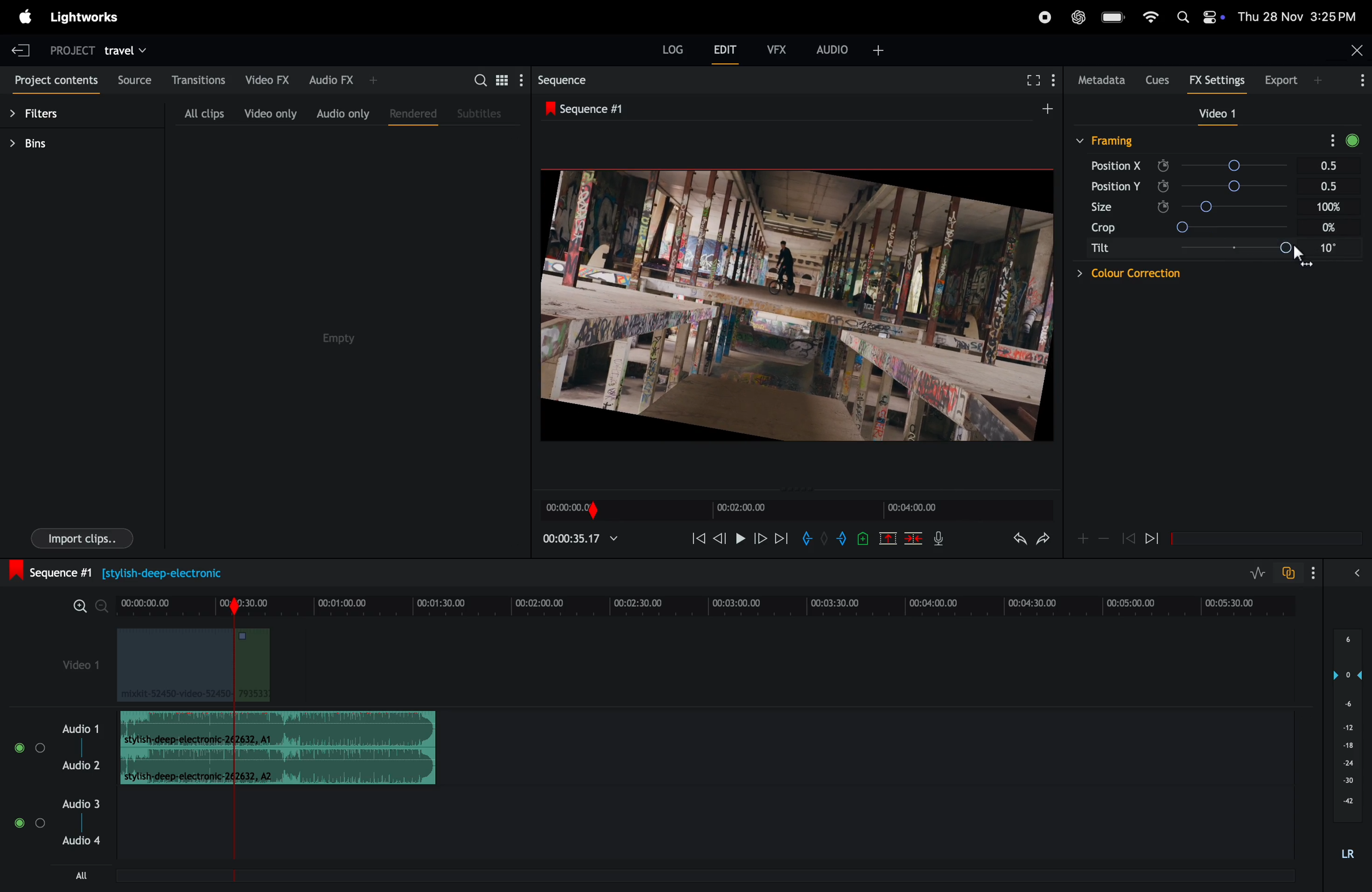 This screenshot has width=1372, height=892. What do you see at coordinates (1156, 538) in the screenshot?
I see `jump to next keyframe` at bounding box center [1156, 538].